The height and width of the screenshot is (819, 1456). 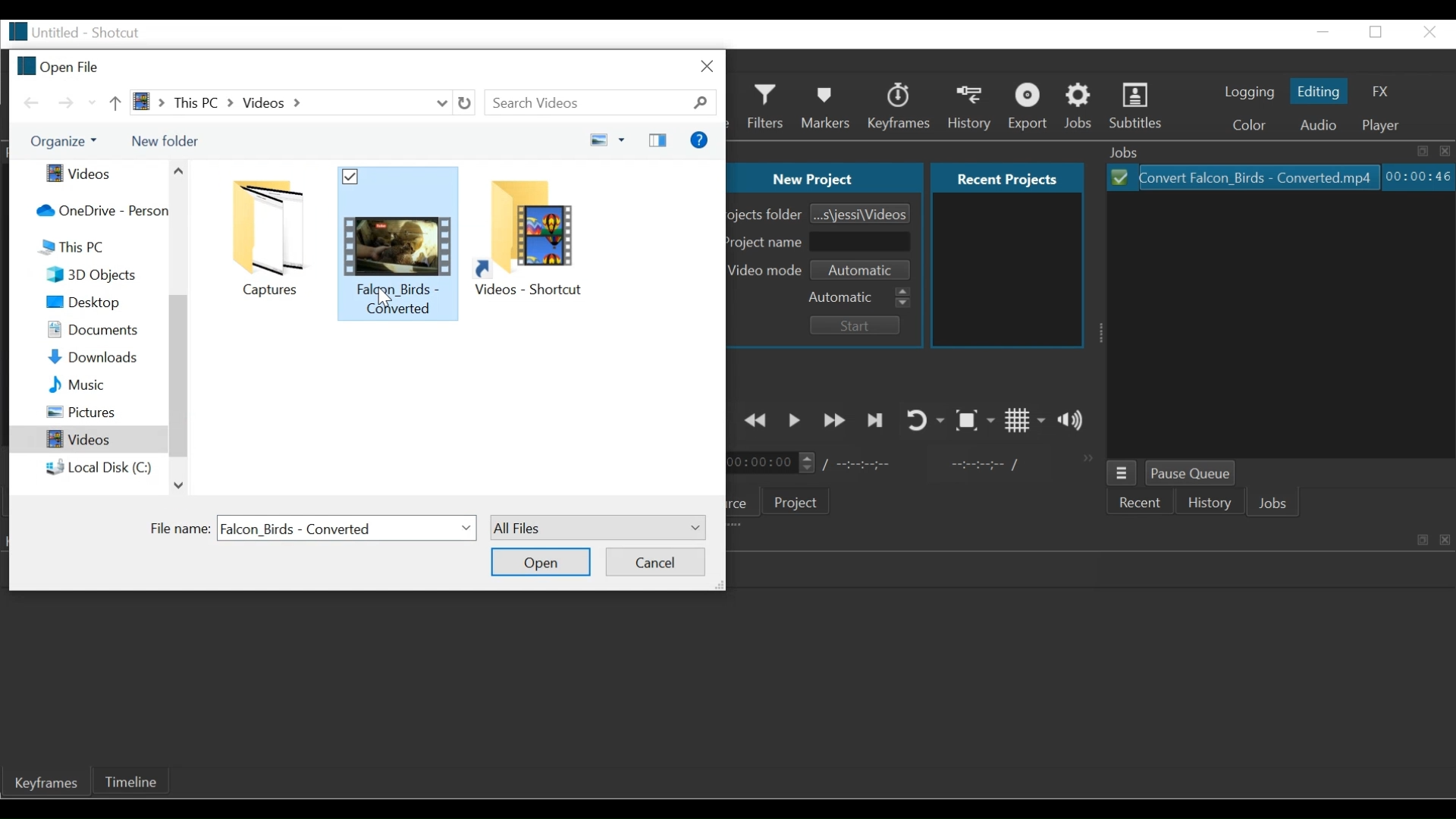 What do you see at coordinates (975, 420) in the screenshot?
I see `Toggle Zoom` at bounding box center [975, 420].